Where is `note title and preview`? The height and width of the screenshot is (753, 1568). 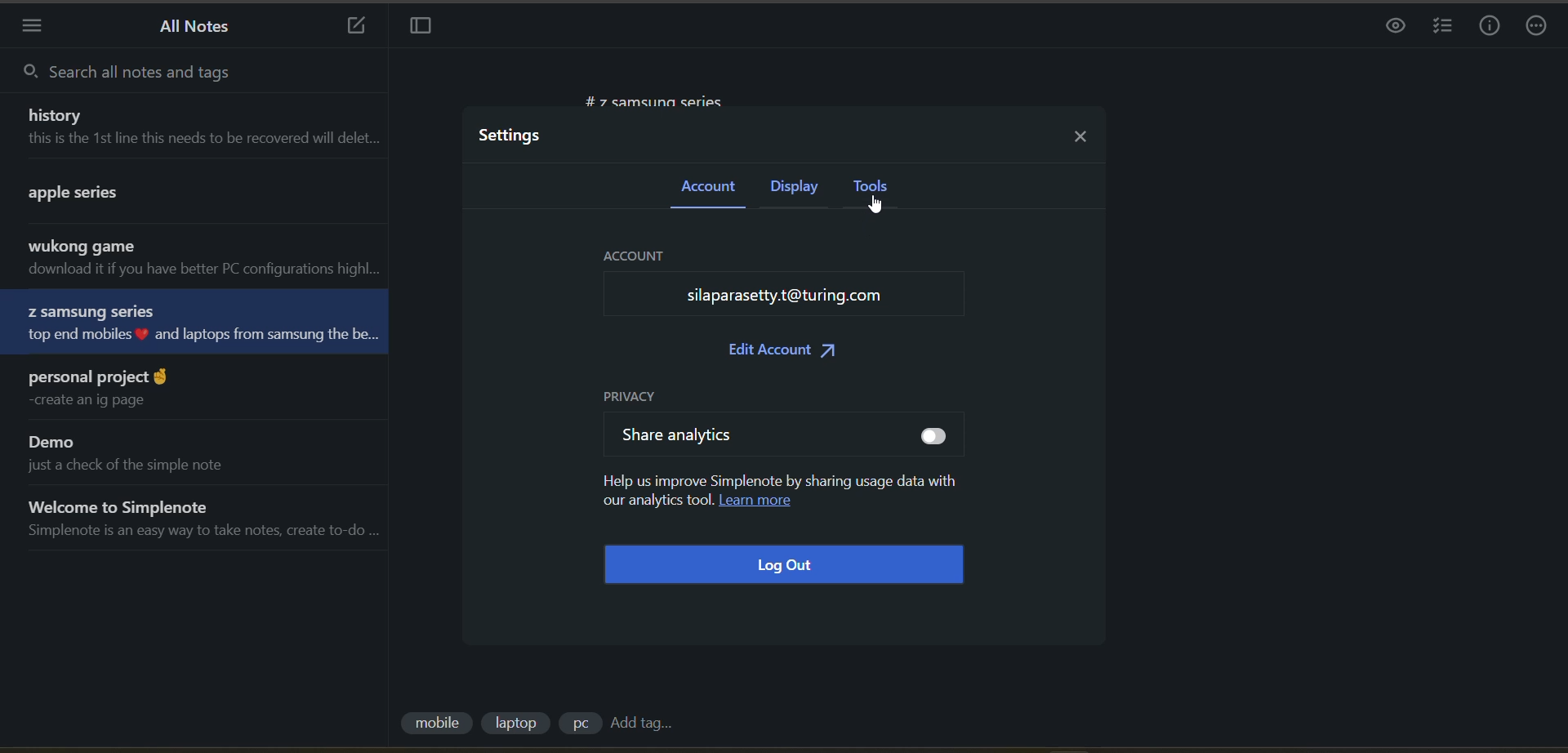
note title and preview is located at coordinates (211, 519).